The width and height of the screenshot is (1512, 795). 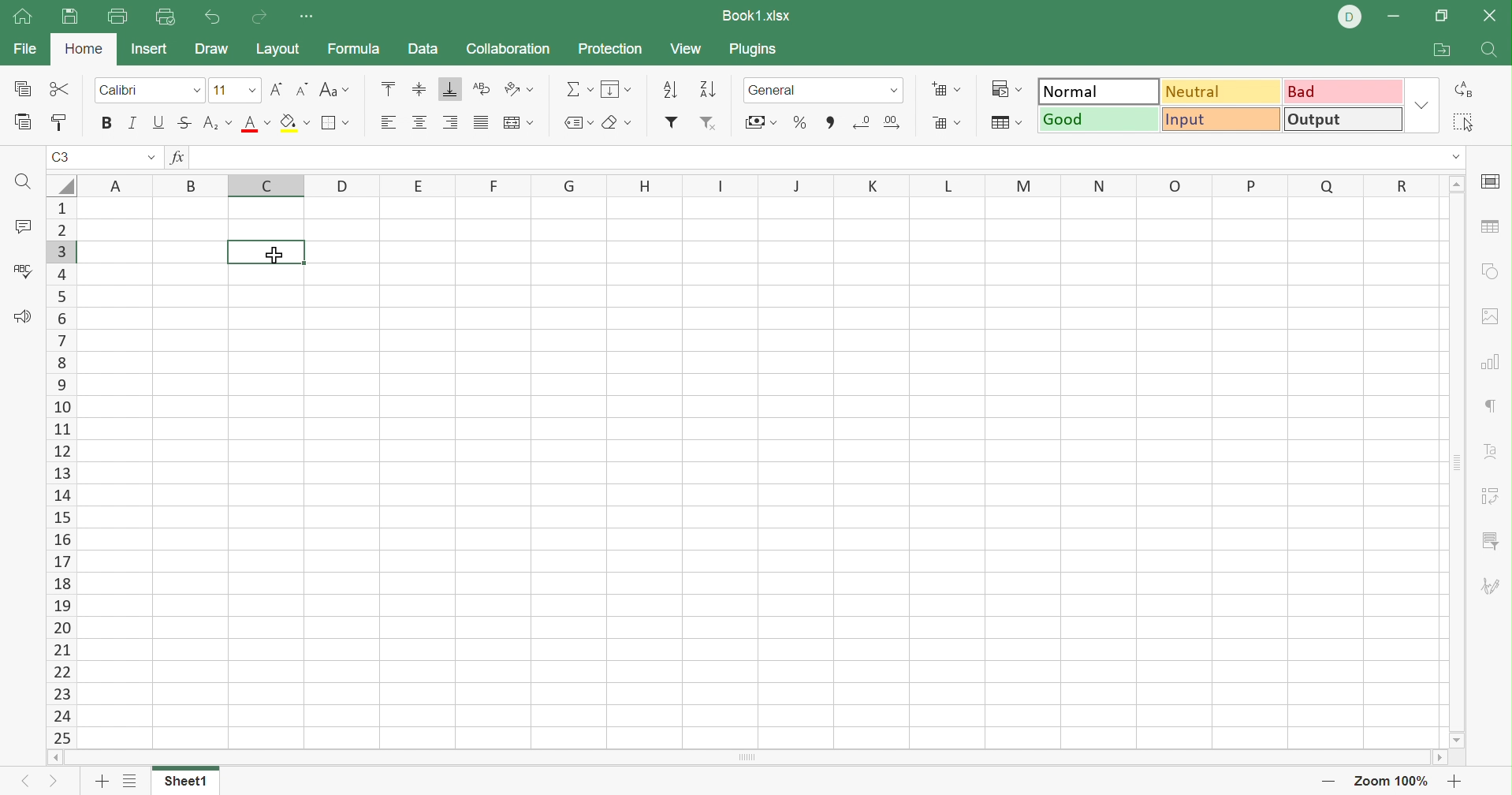 I want to click on Comment, so click(x=23, y=227).